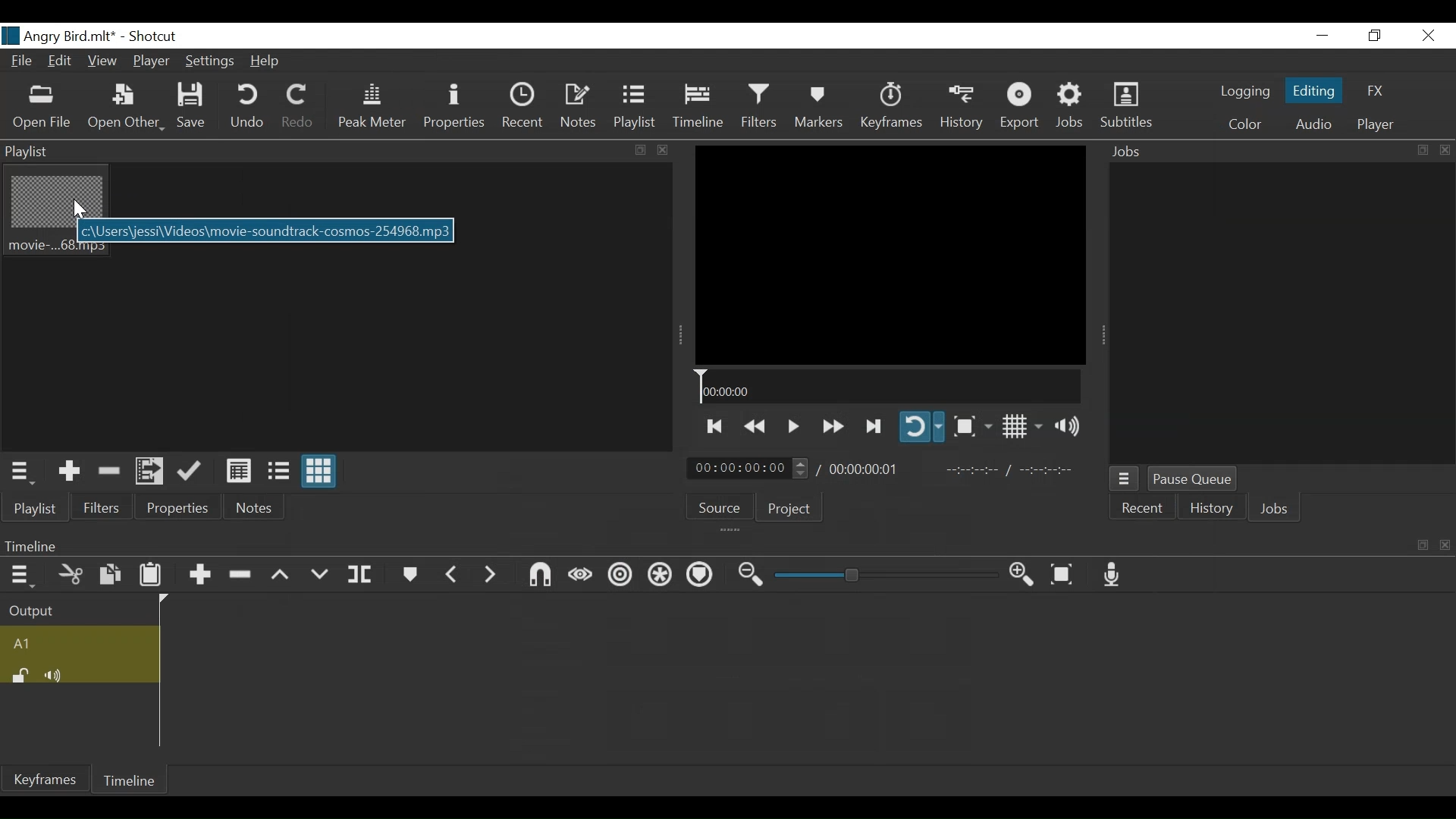 The width and height of the screenshot is (1456, 819). What do you see at coordinates (1025, 575) in the screenshot?
I see `Zoom timeline in` at bounding box center [1025, 575].